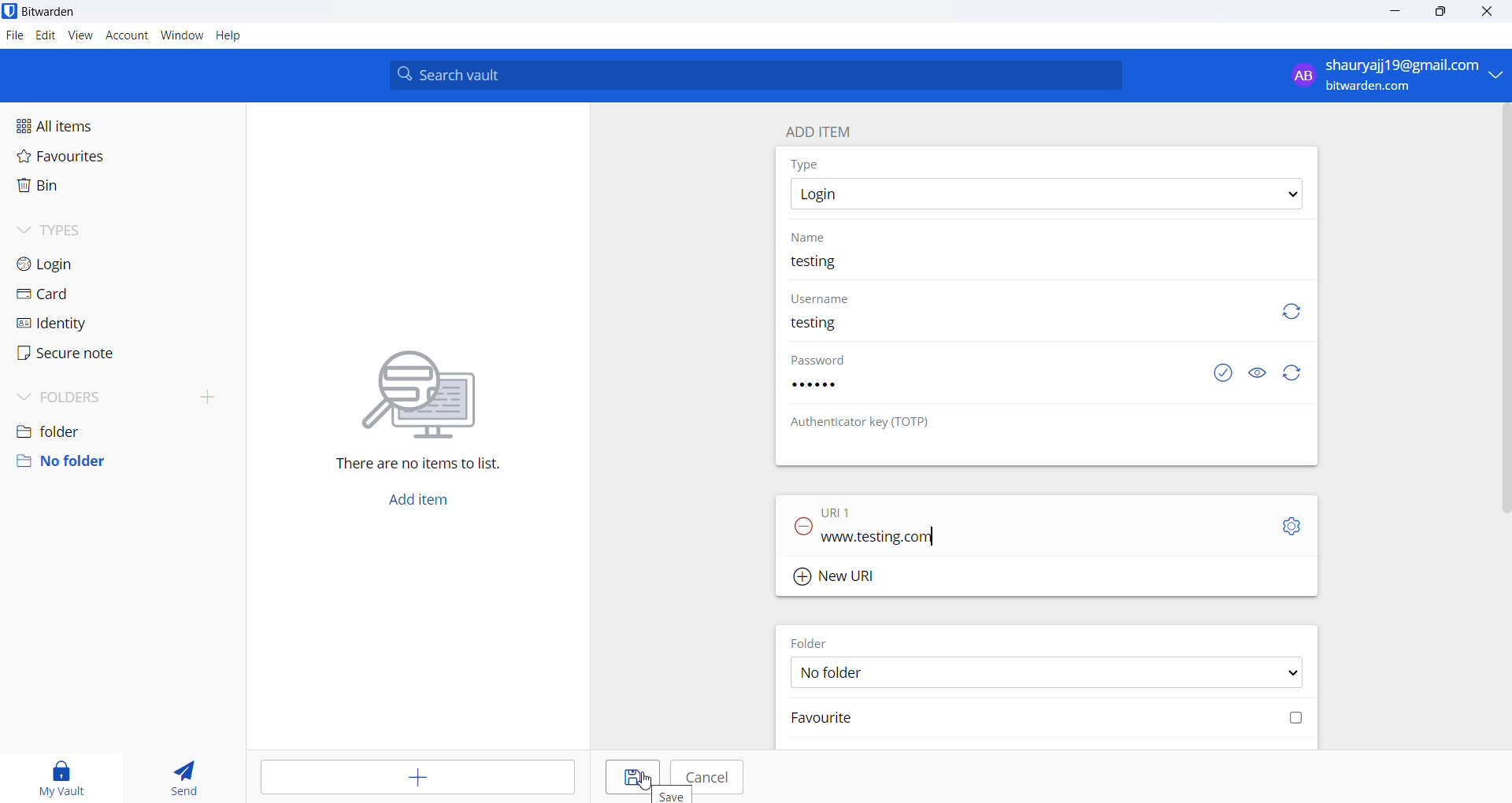 This screenshot has width=1512, height=803. What do you see at coordinates (1027, 538) in the screenshot?
I see `URL input. Current URL "www.testing.com"` at bounding box center [1027, 538].